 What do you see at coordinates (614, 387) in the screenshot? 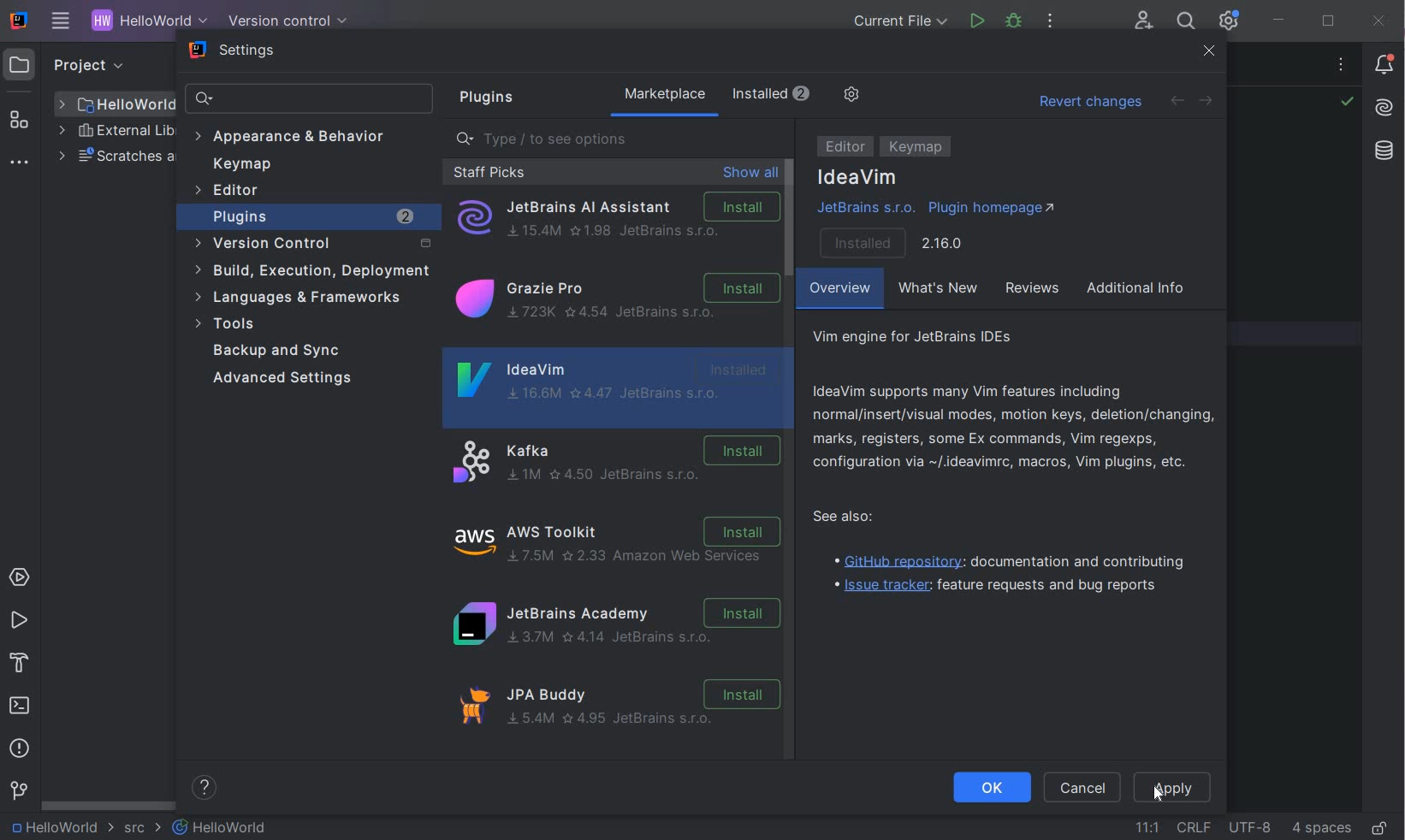
I see `IdeaVim` at bounding box center [614, 387].